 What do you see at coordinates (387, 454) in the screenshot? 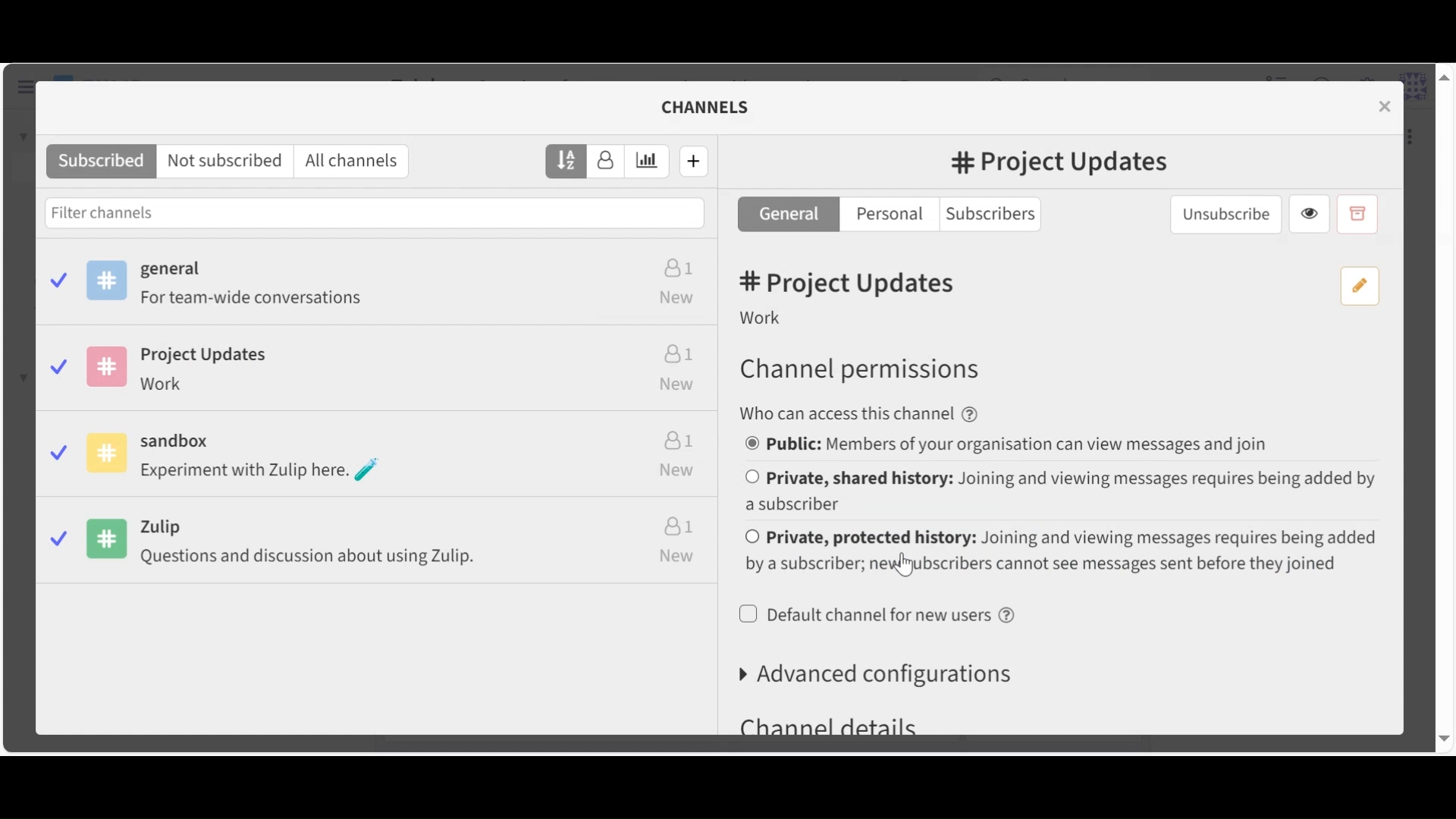
I see `sandbox` at bounding box center [387, 454].